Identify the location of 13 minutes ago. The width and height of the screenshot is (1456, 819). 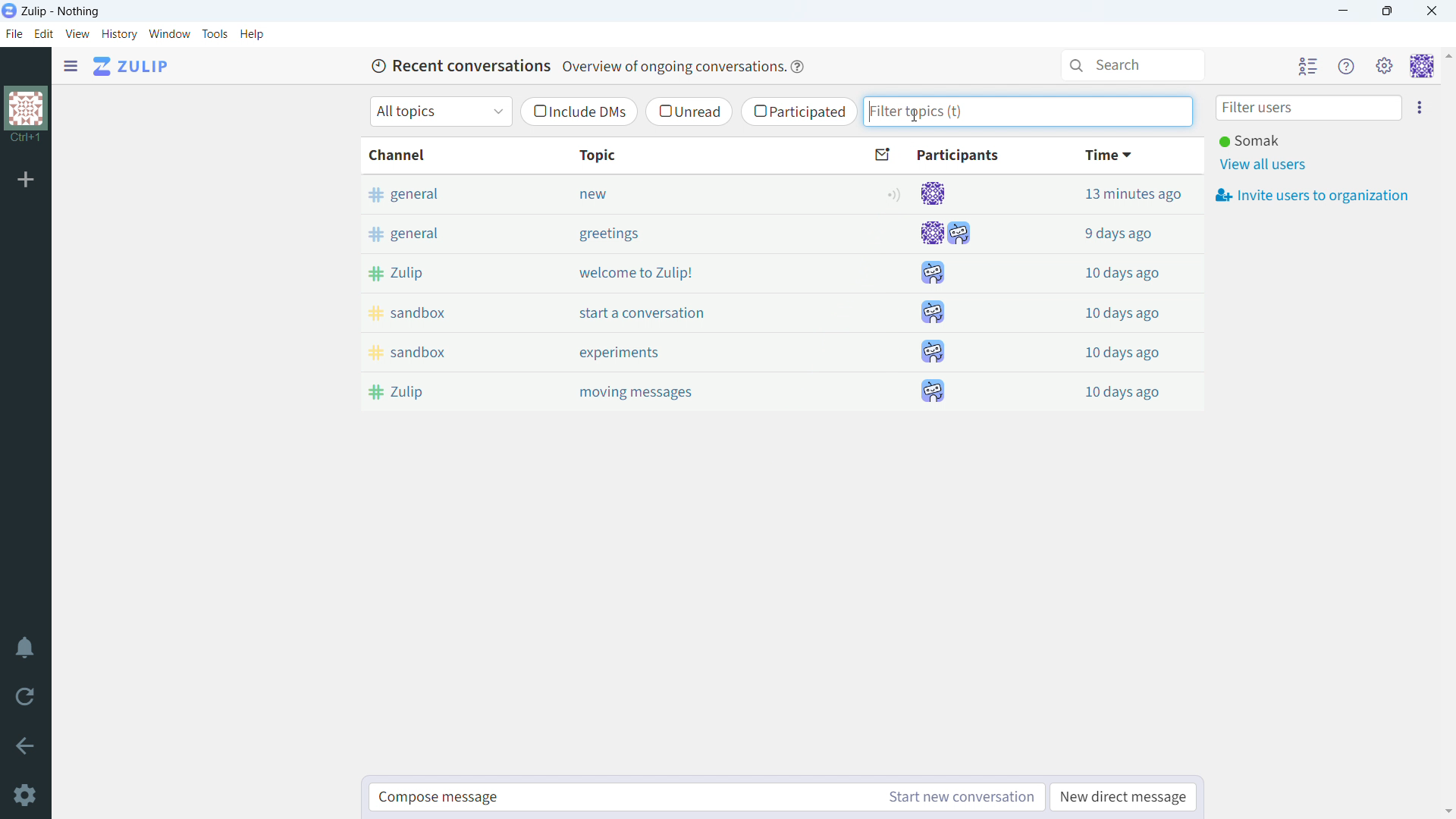
(1106, 193).